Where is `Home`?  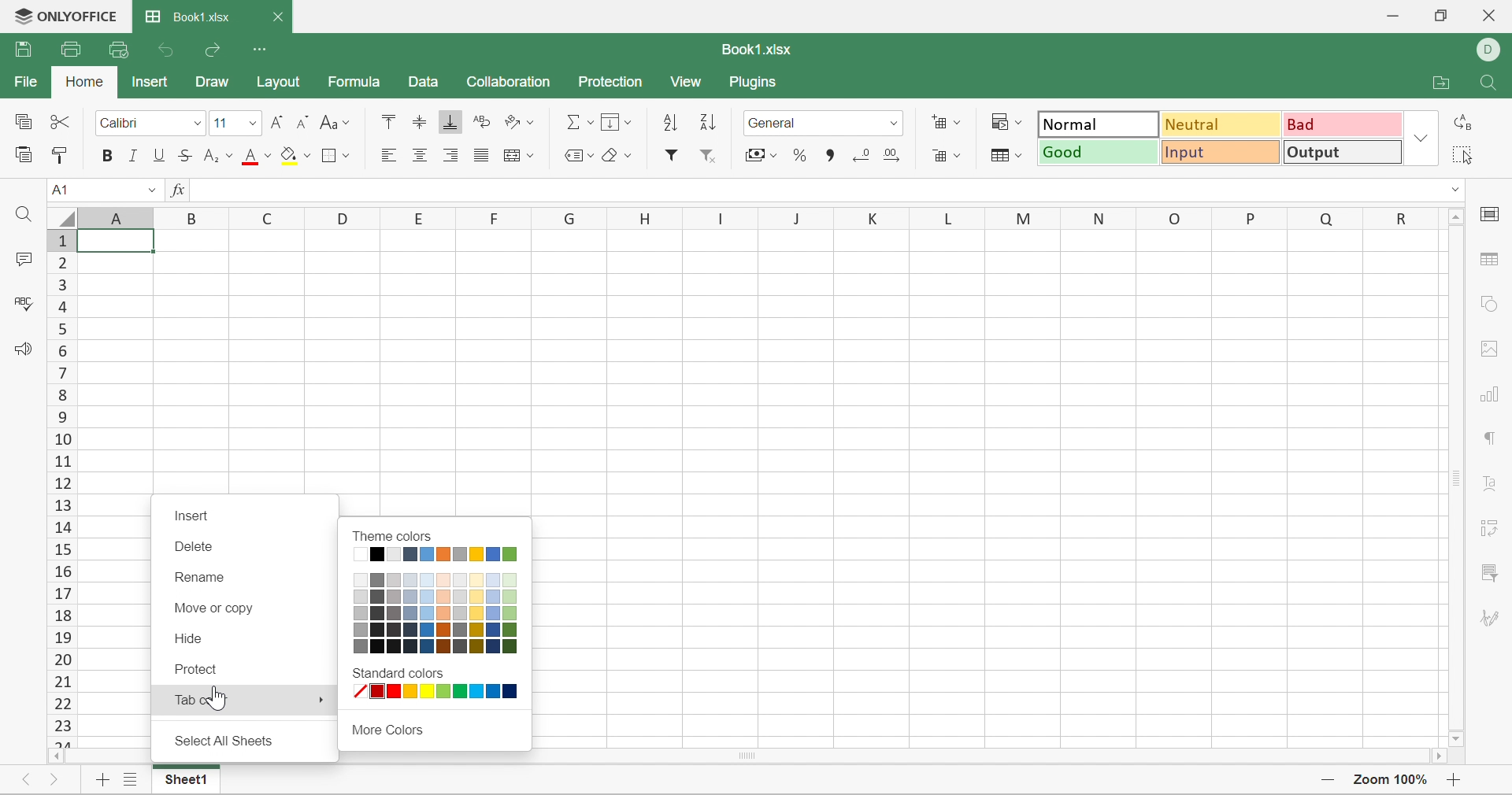
Home is located at coordinates (84, 82).